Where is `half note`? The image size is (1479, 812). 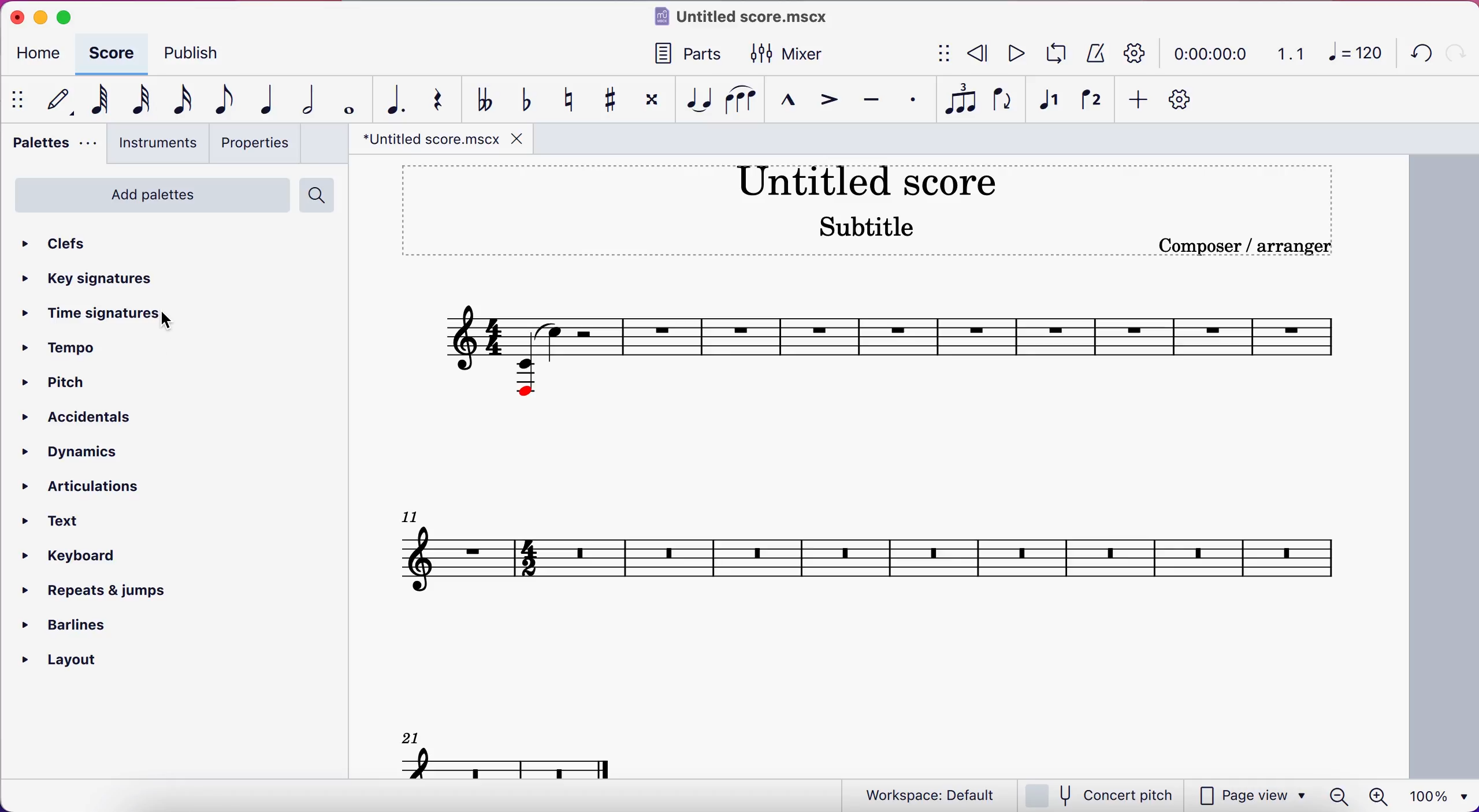 half note is located at coordinates (299, 99).